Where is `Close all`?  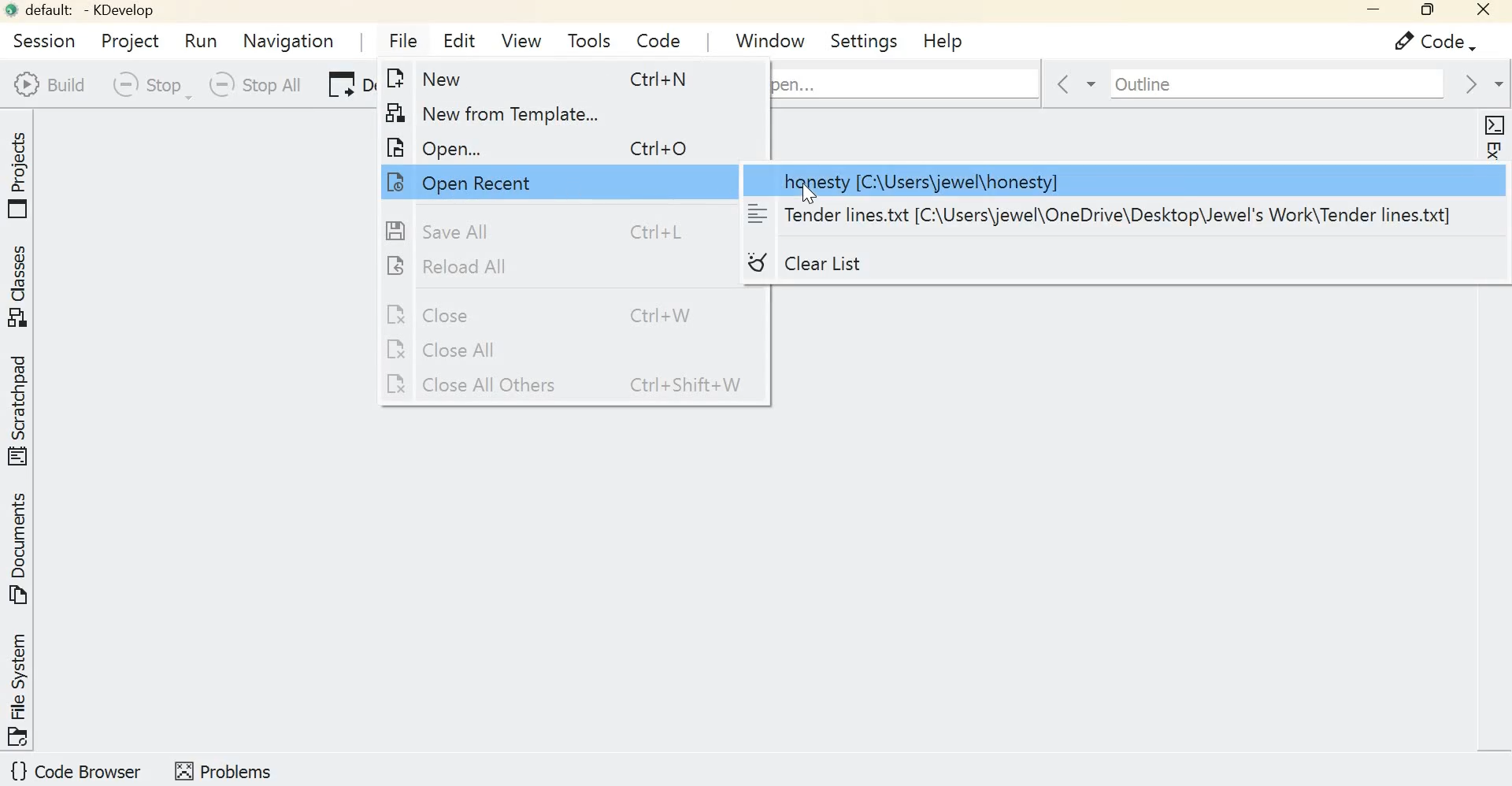
Close all is located at coordinates (547, 350).